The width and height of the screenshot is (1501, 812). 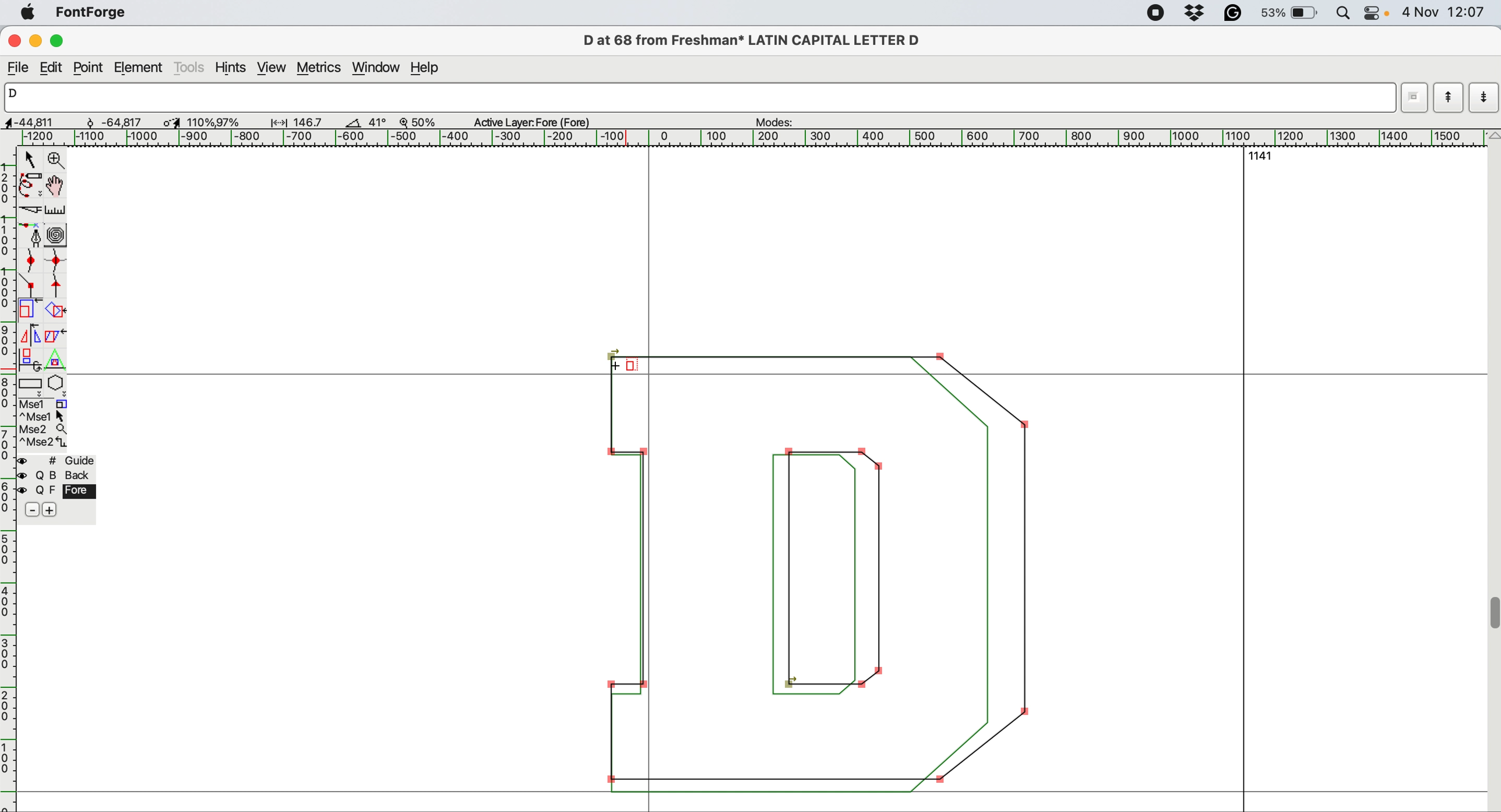 I want to click on scale the selection, so click(x=29, y=311).